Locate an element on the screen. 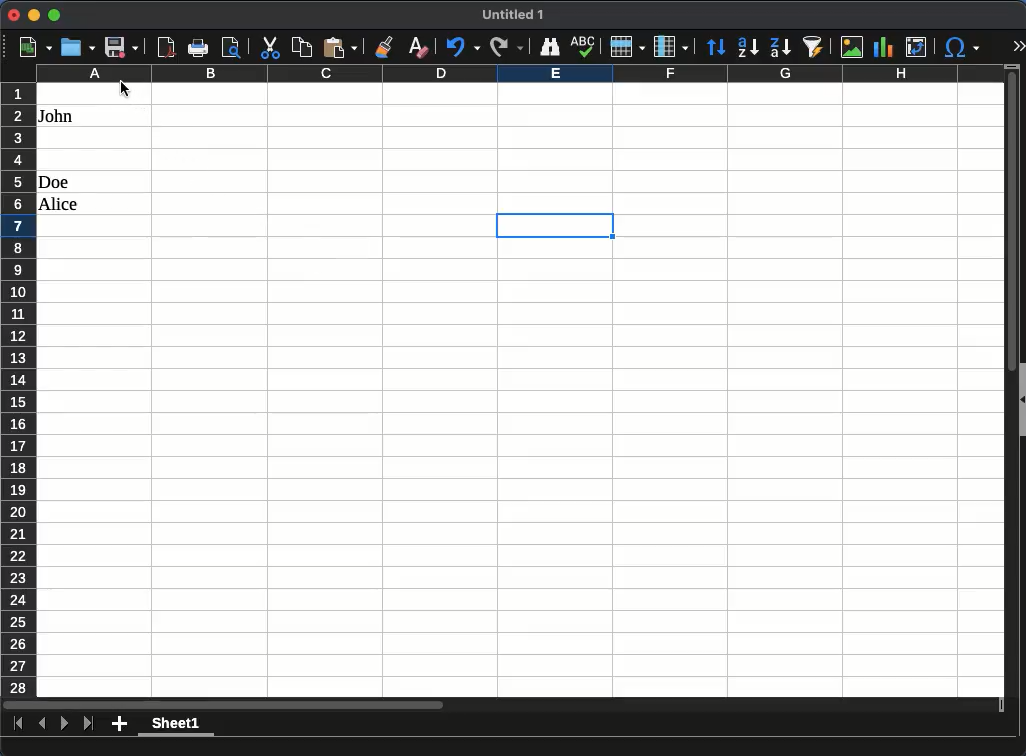  untitled 1 is located at coordinates (510, 15).